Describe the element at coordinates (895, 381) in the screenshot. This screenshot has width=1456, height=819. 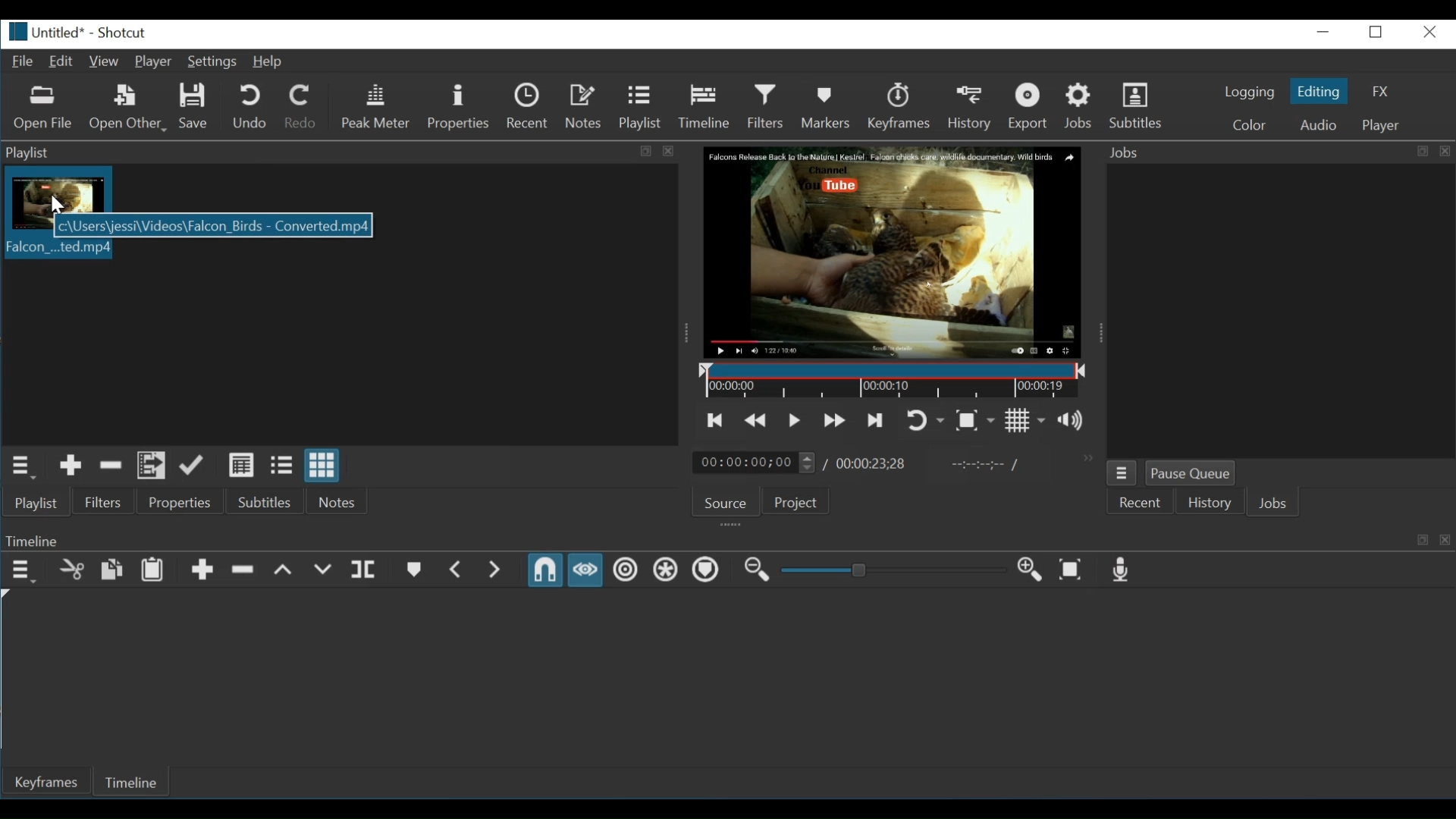
I see `Timeline` at that location.